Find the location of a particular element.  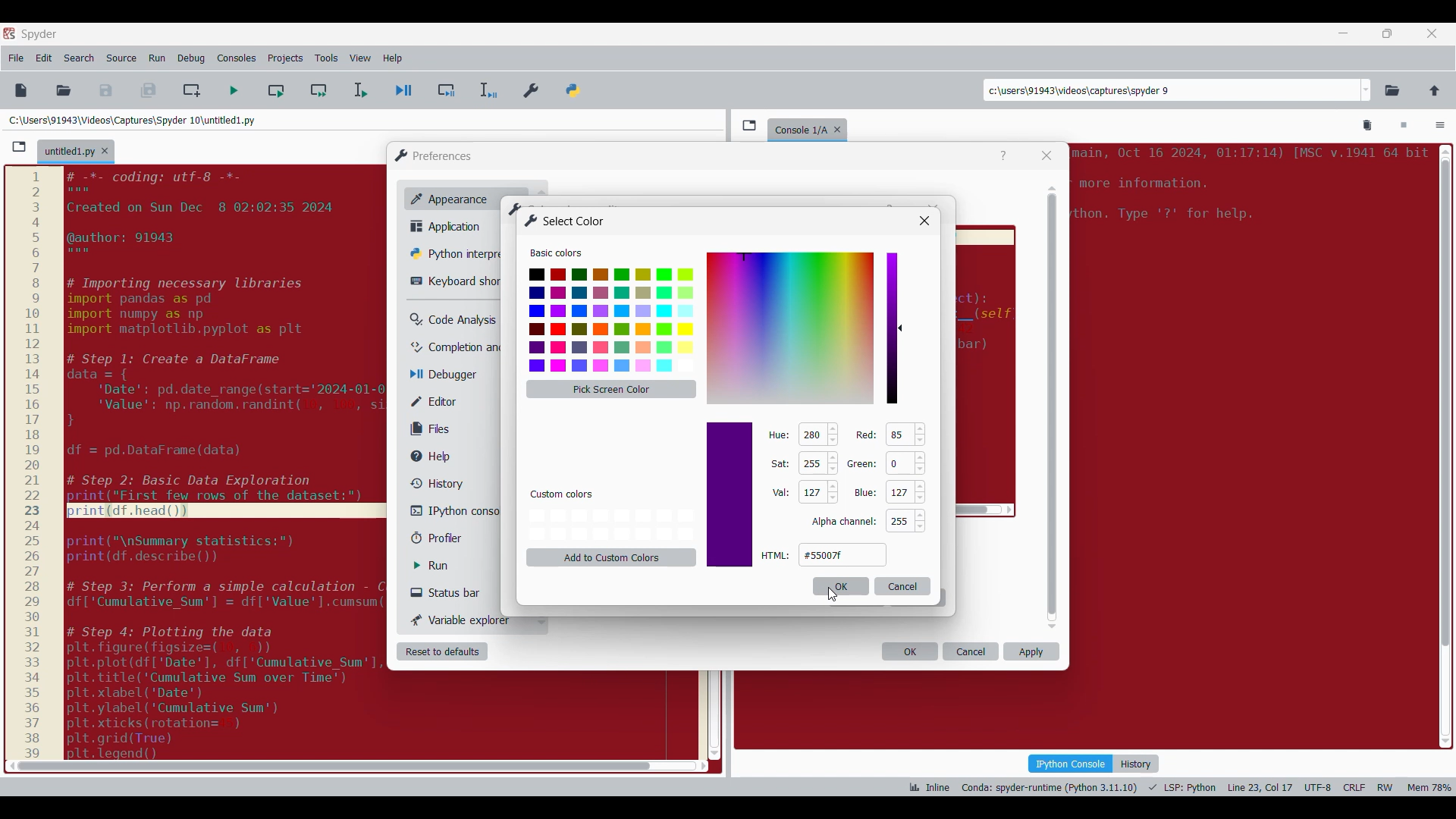

Software logo is located at coordinates (9, 33).